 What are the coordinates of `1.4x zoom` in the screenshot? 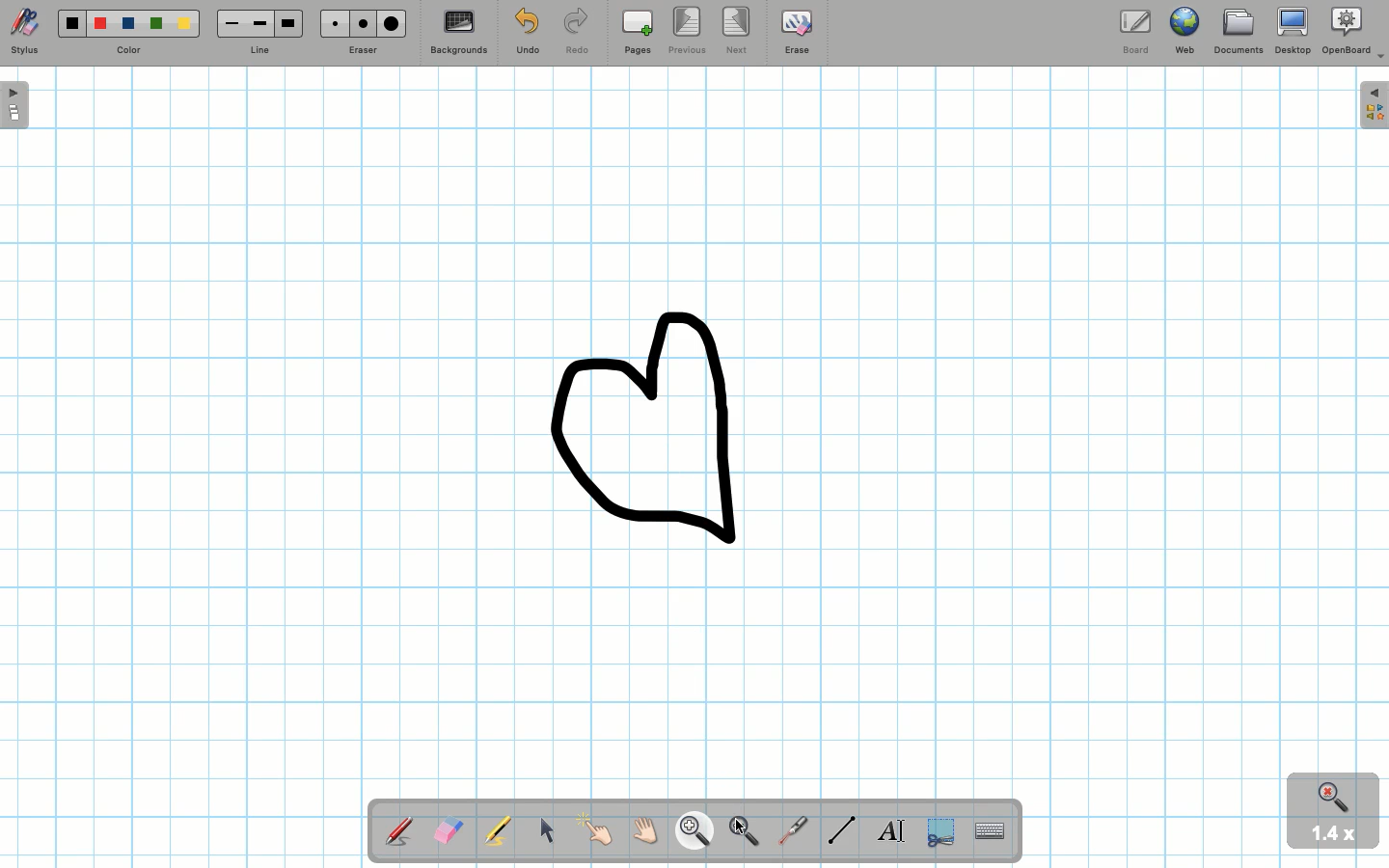 It's located at (1336, 837).